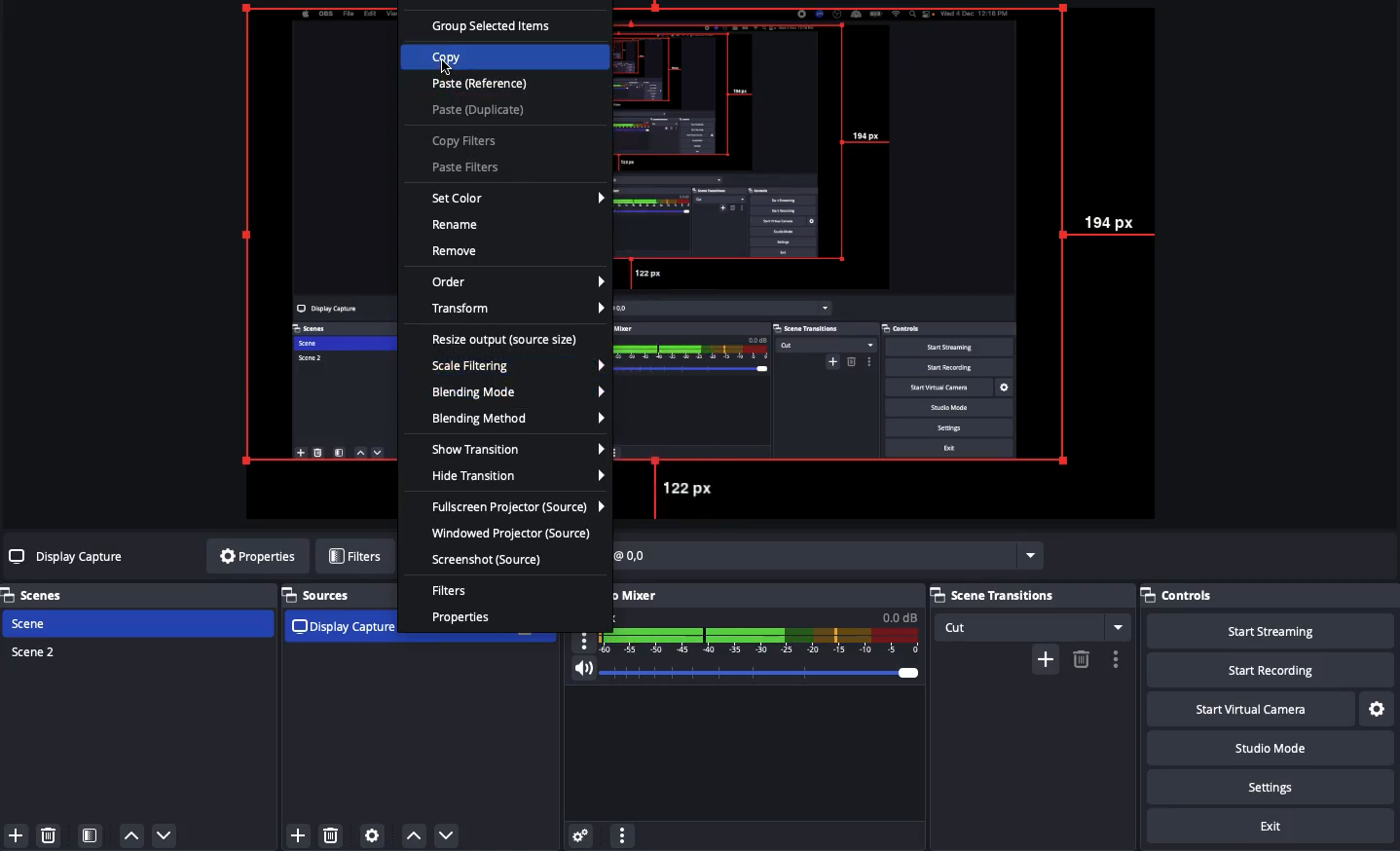 This screenshot has width=1400, height=851. I want to click on Sources, so click(318, 593).